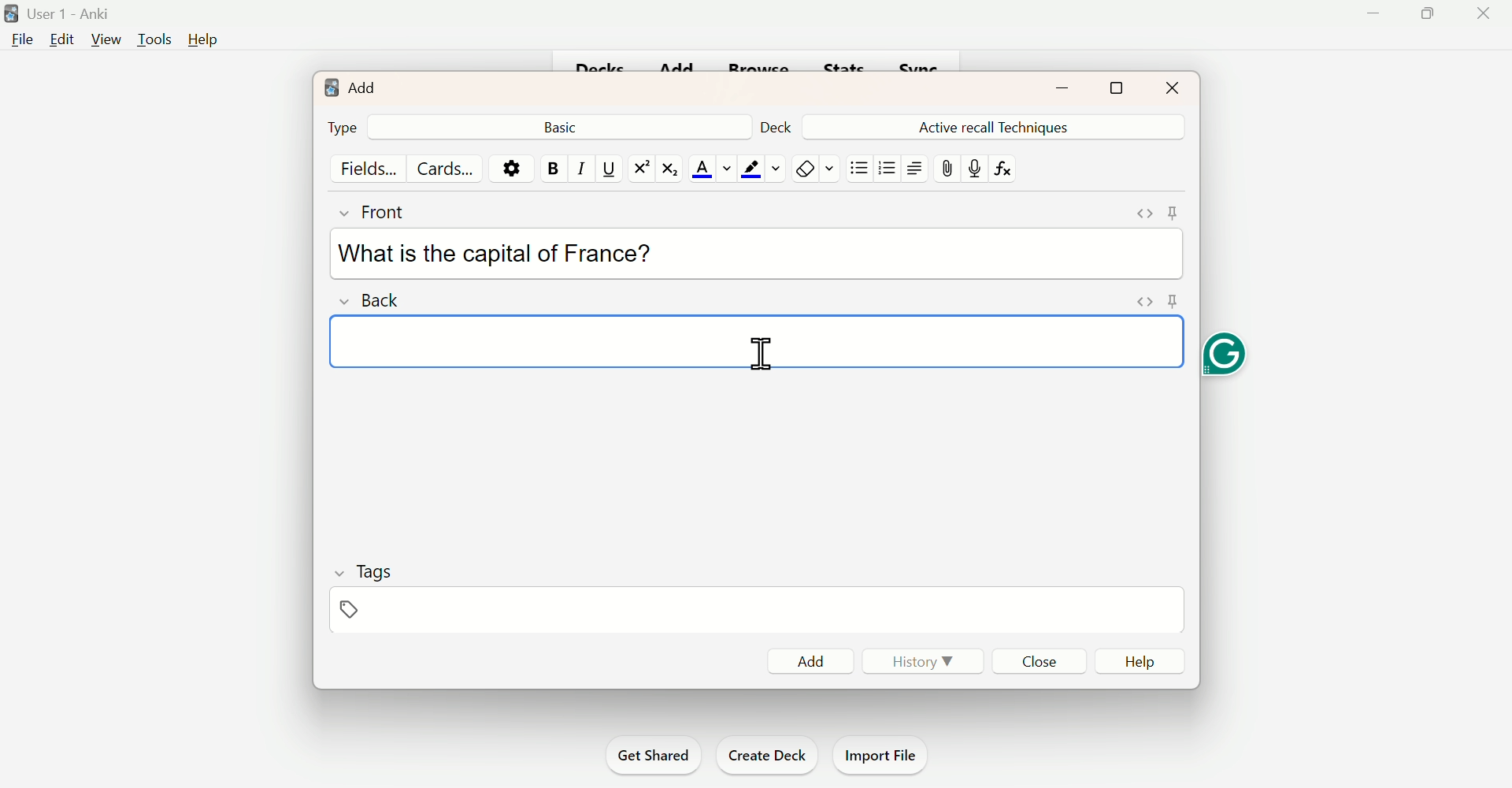 Image resolution: width=1512 pixels, height=788 pixels. What do you see at coordinates (809, 662) in the screenshot?
I see `Add` at bounding box center [809, 662].